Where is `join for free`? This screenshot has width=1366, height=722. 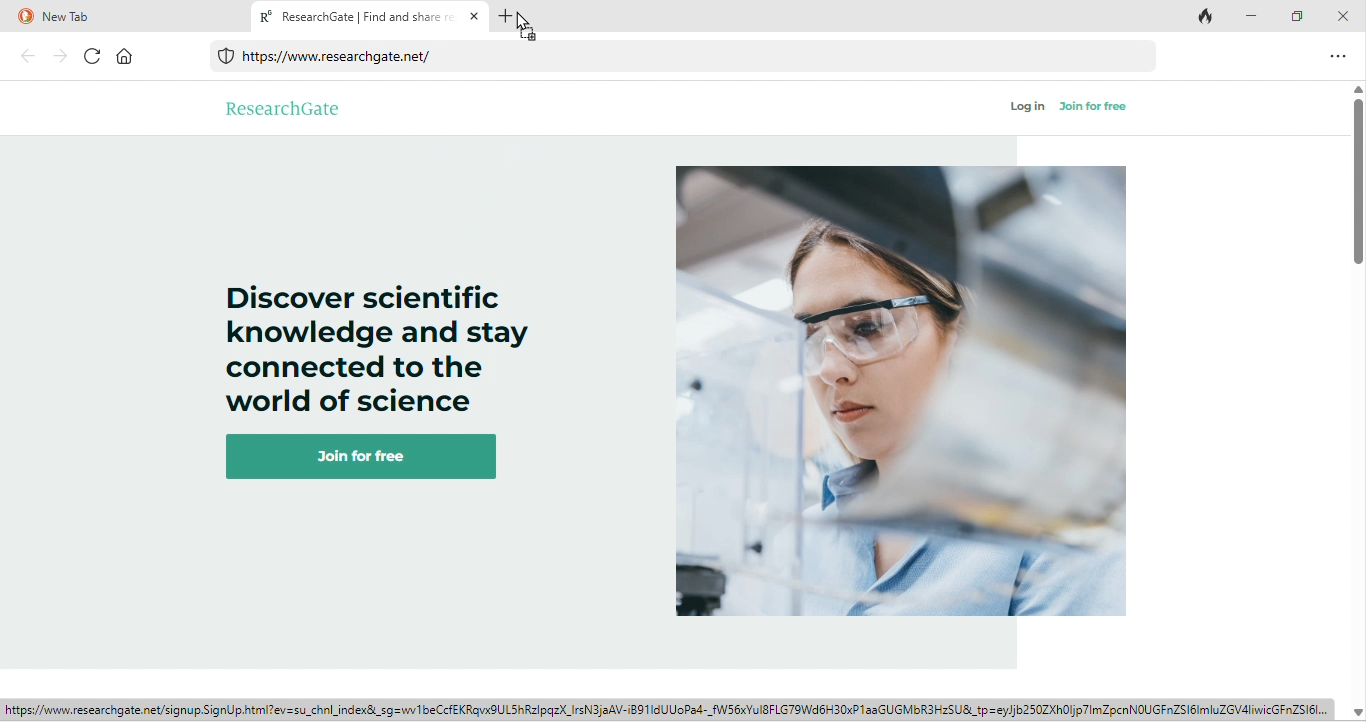
join for free is located at coordinates (1094, 107).